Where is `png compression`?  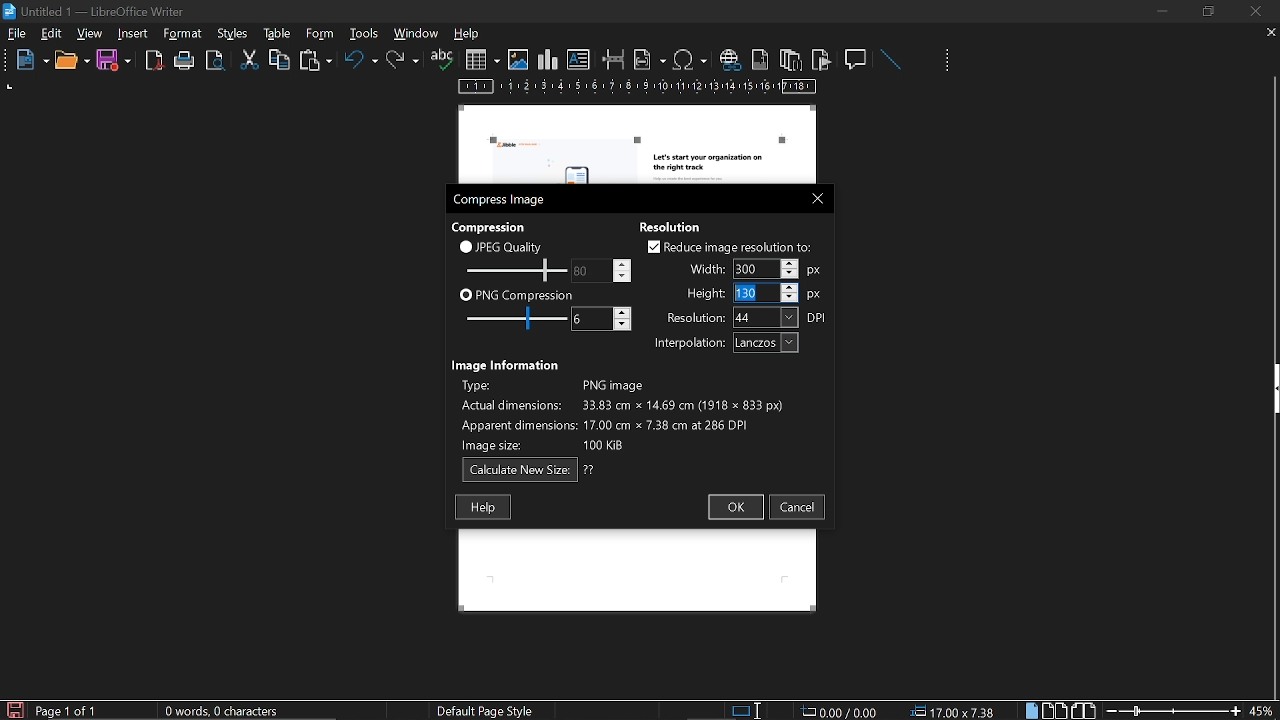
png compression is located at coordinates (517, 294).